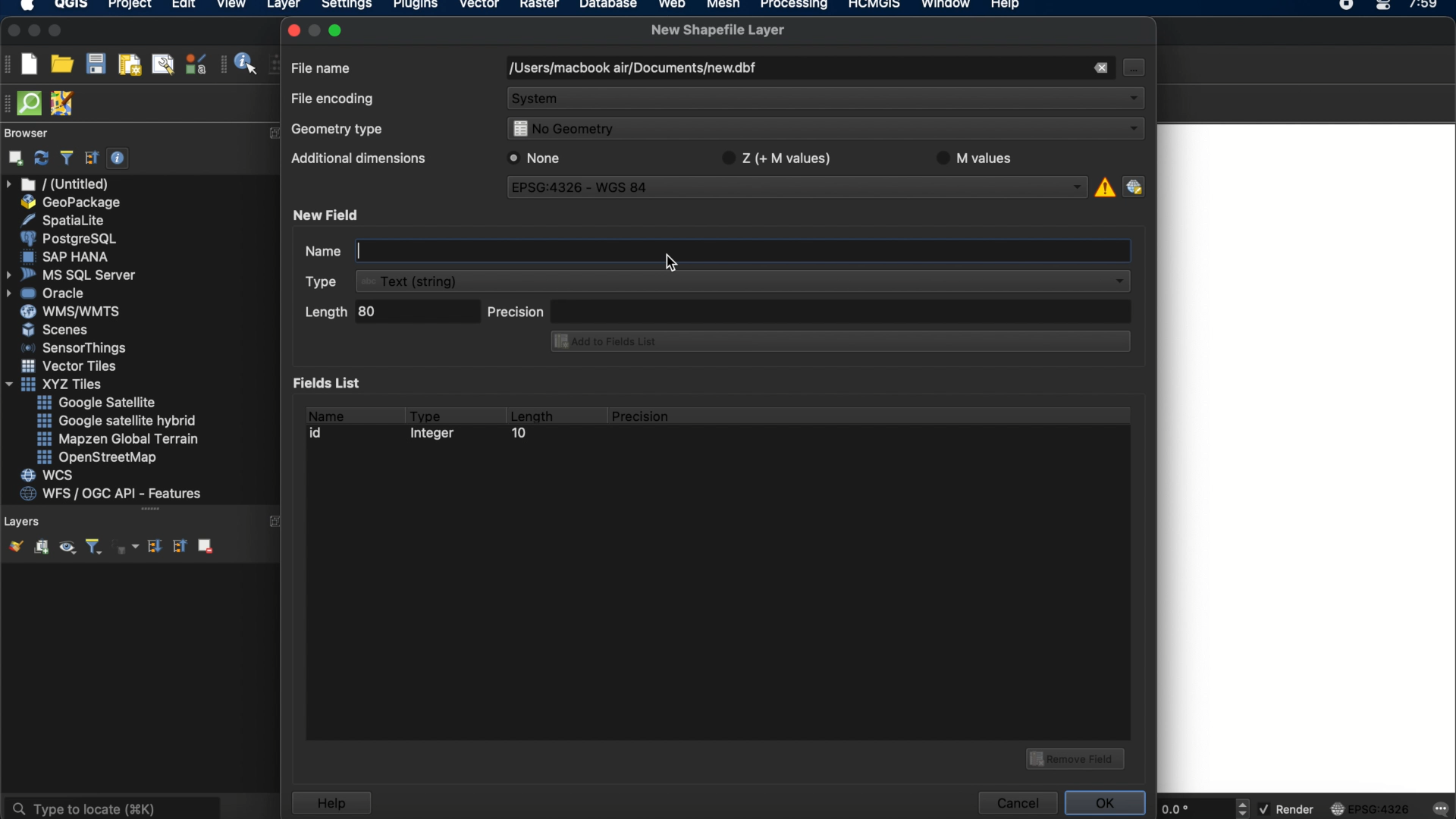 The image size is (1456, 819). I want to click on collapse all, so click(178, 545).